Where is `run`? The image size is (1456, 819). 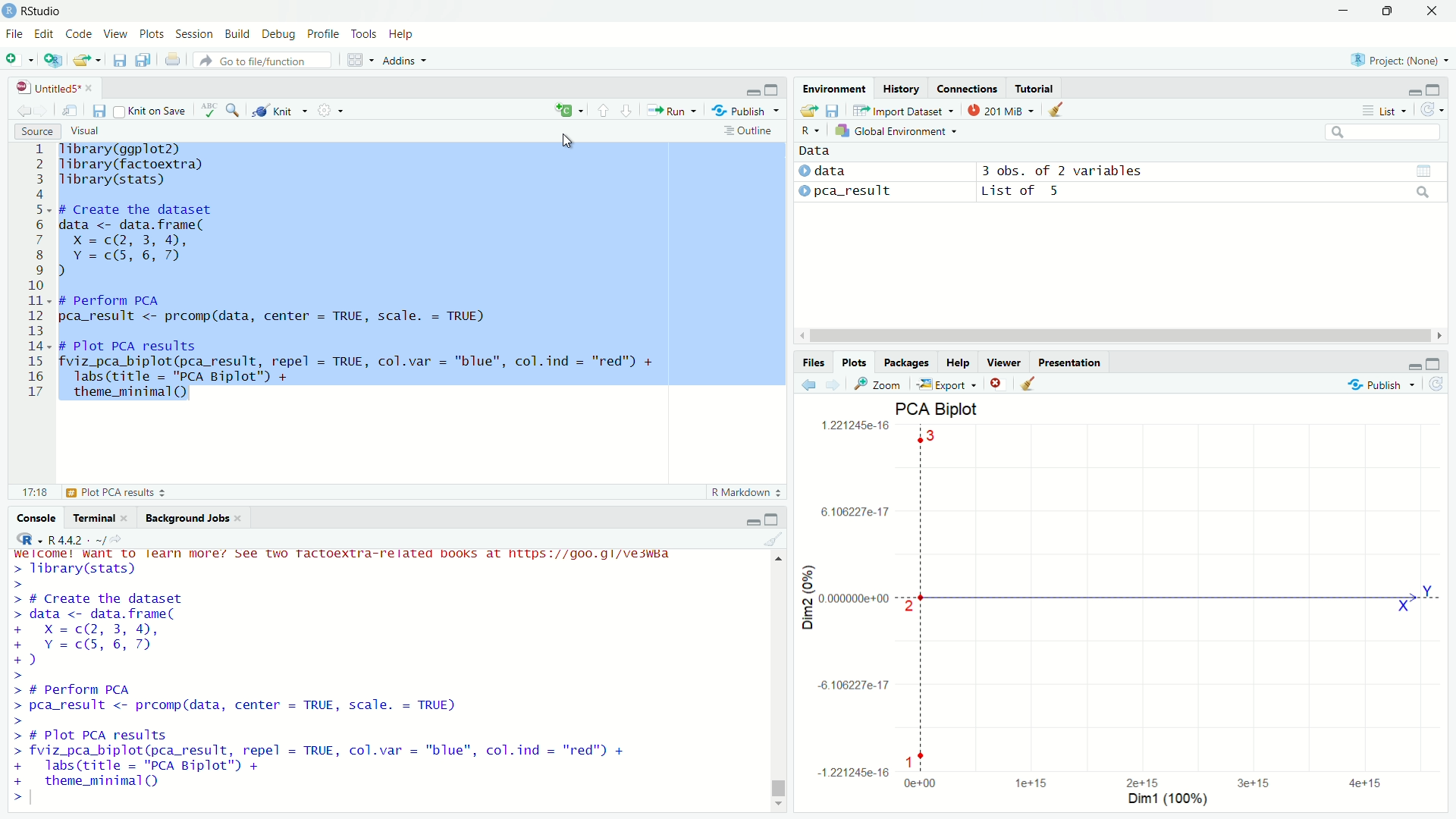 run is located at coordinates (670, 110).